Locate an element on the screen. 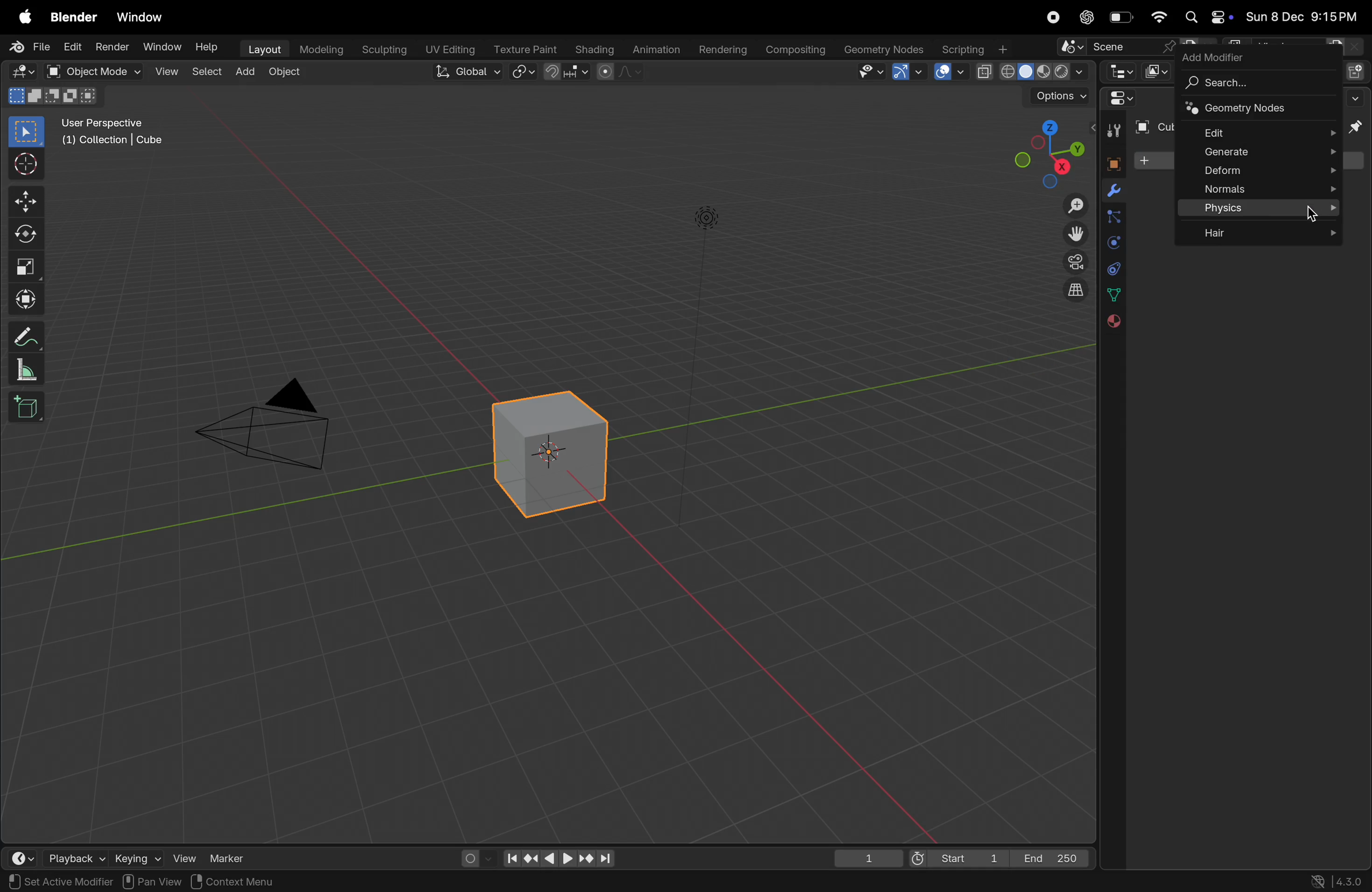  open is located at coordinates (52, 71).